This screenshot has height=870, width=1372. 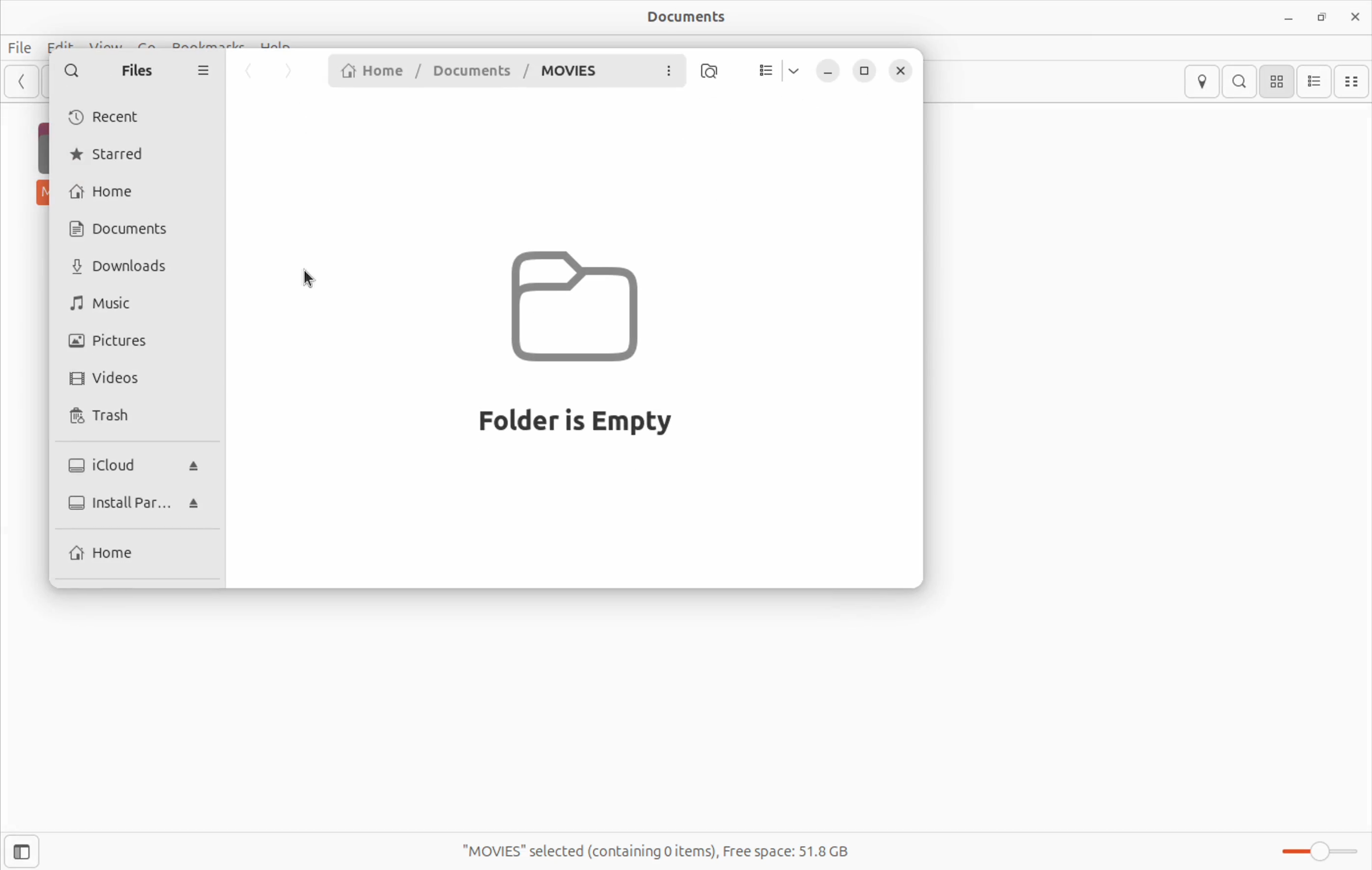 What do you see at coordinates (794, 70) in the screenshot?
I see `Down Arrow` at bounding box center [794, 70].